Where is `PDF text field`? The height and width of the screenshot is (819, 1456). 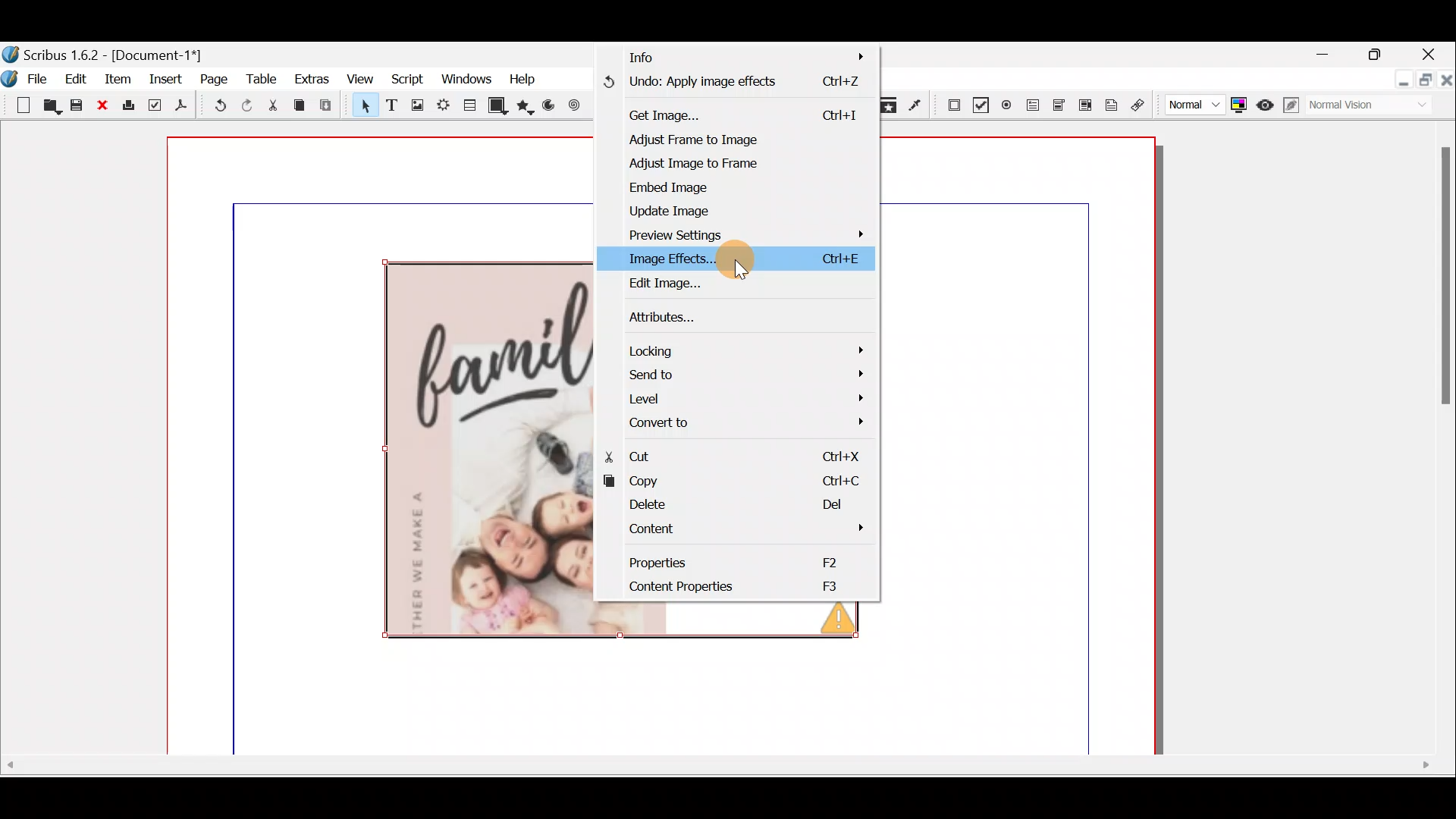
PDF text field is located at coordinates (1035, 110).